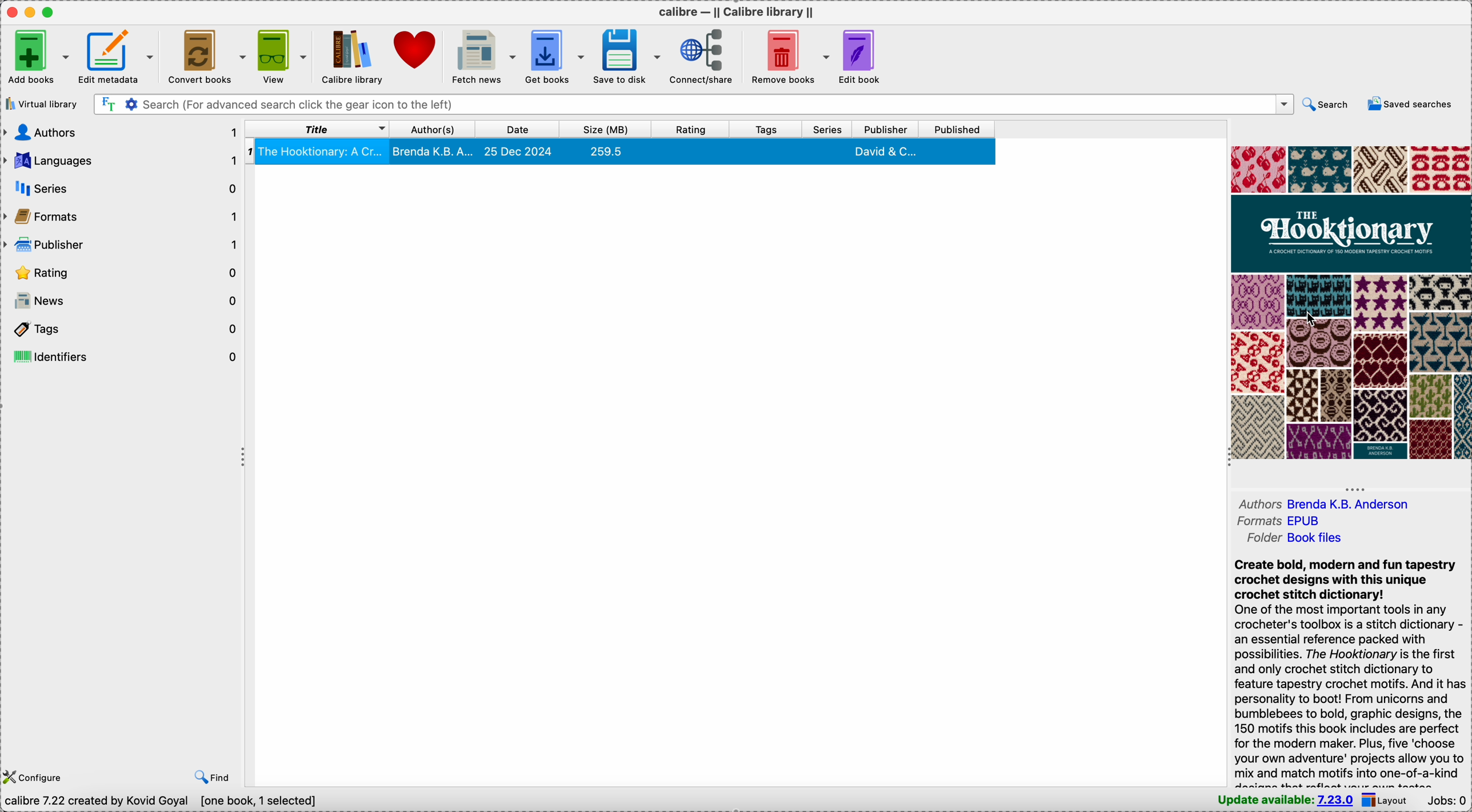 The height and width of the screenshot is (812, 1472). What do you see at coordinates (1279, 523) in the screenshot?
I see `formats` at bounding box center [1279, 523].